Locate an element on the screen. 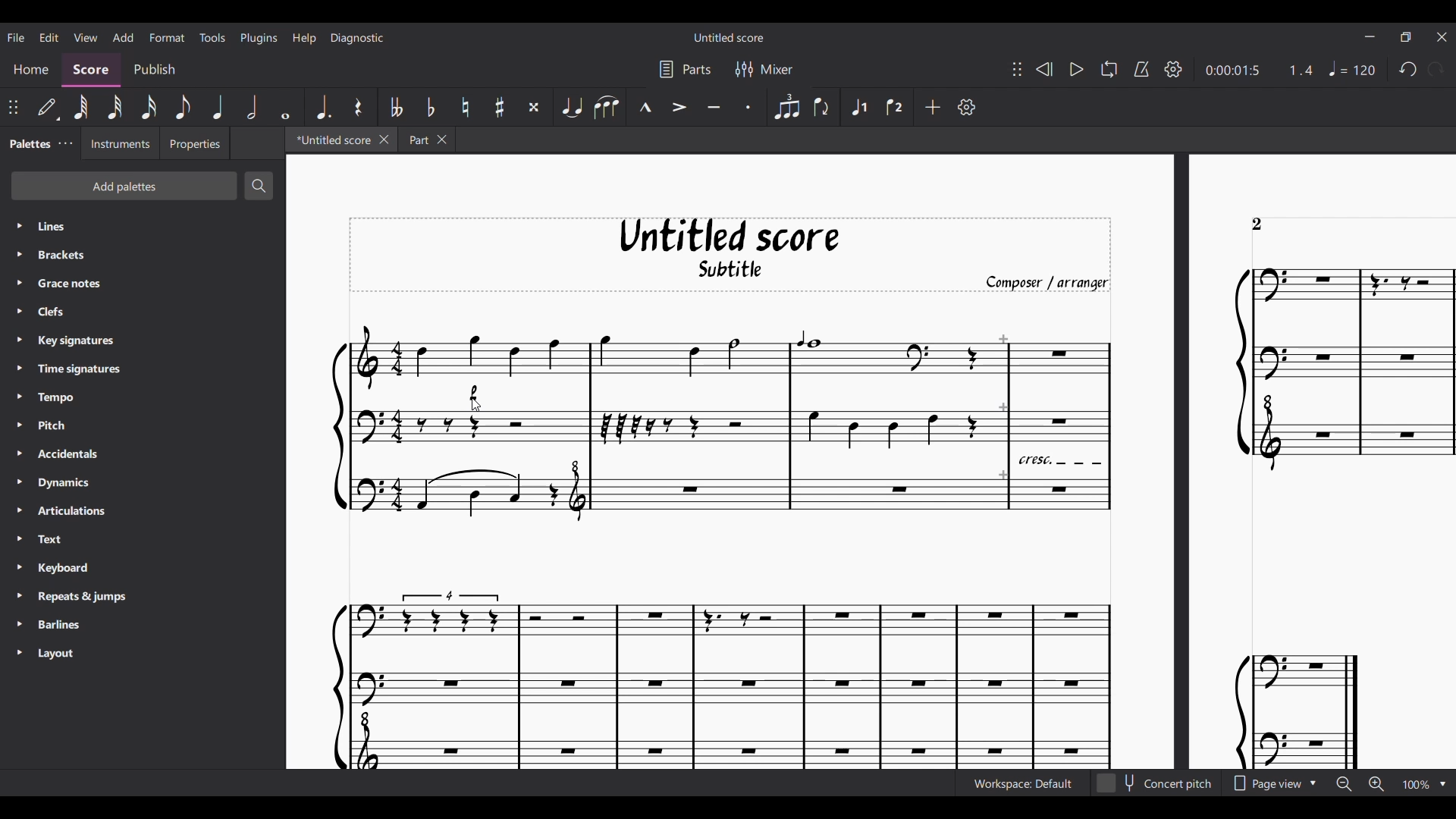 This screenshot has width=1456, height=819. Toggle flat is located at coordinates (431, 106).